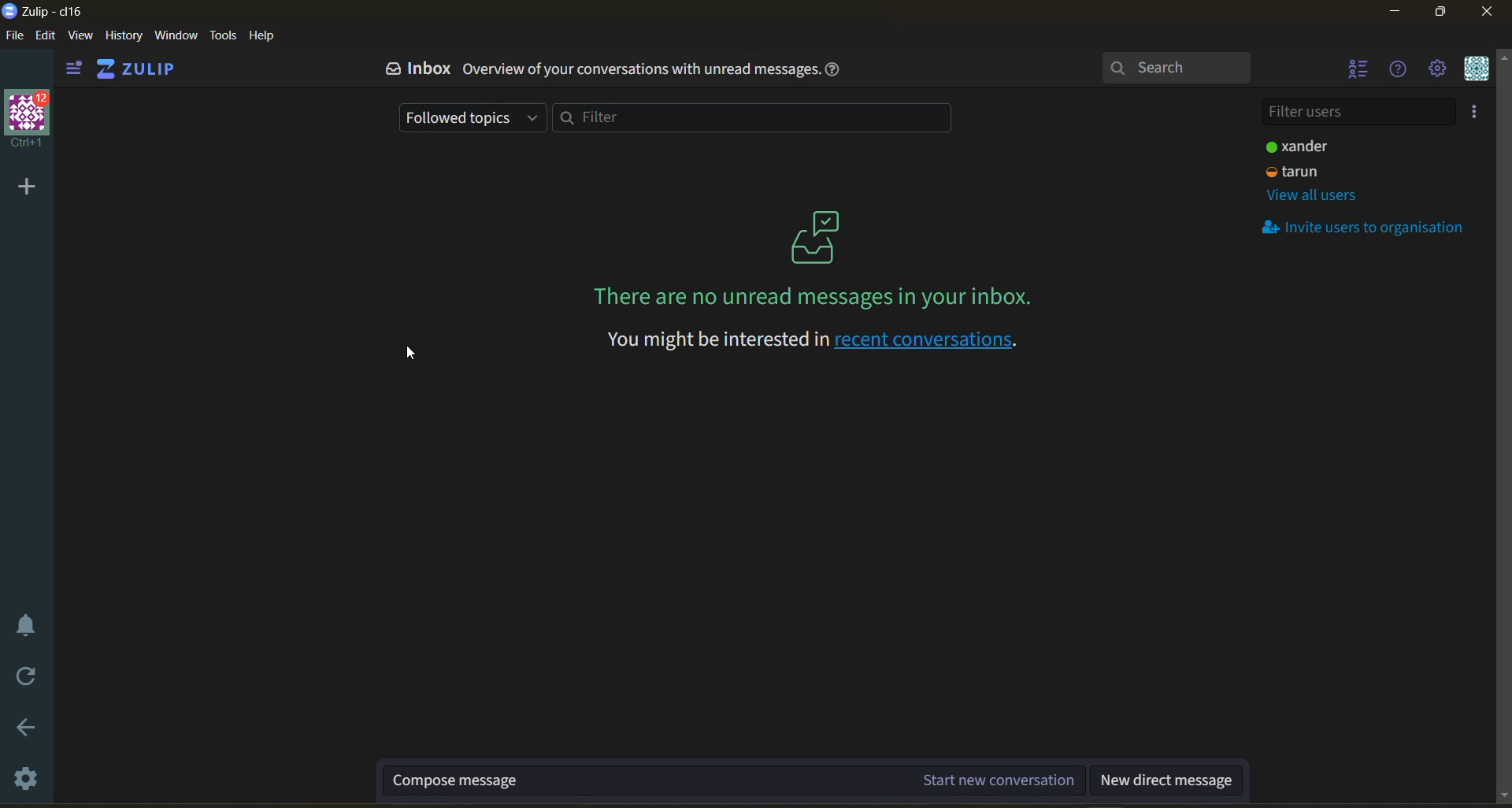 This screenshot has height=808, width=1512. I want to click on minimize, so click(1394, 13).